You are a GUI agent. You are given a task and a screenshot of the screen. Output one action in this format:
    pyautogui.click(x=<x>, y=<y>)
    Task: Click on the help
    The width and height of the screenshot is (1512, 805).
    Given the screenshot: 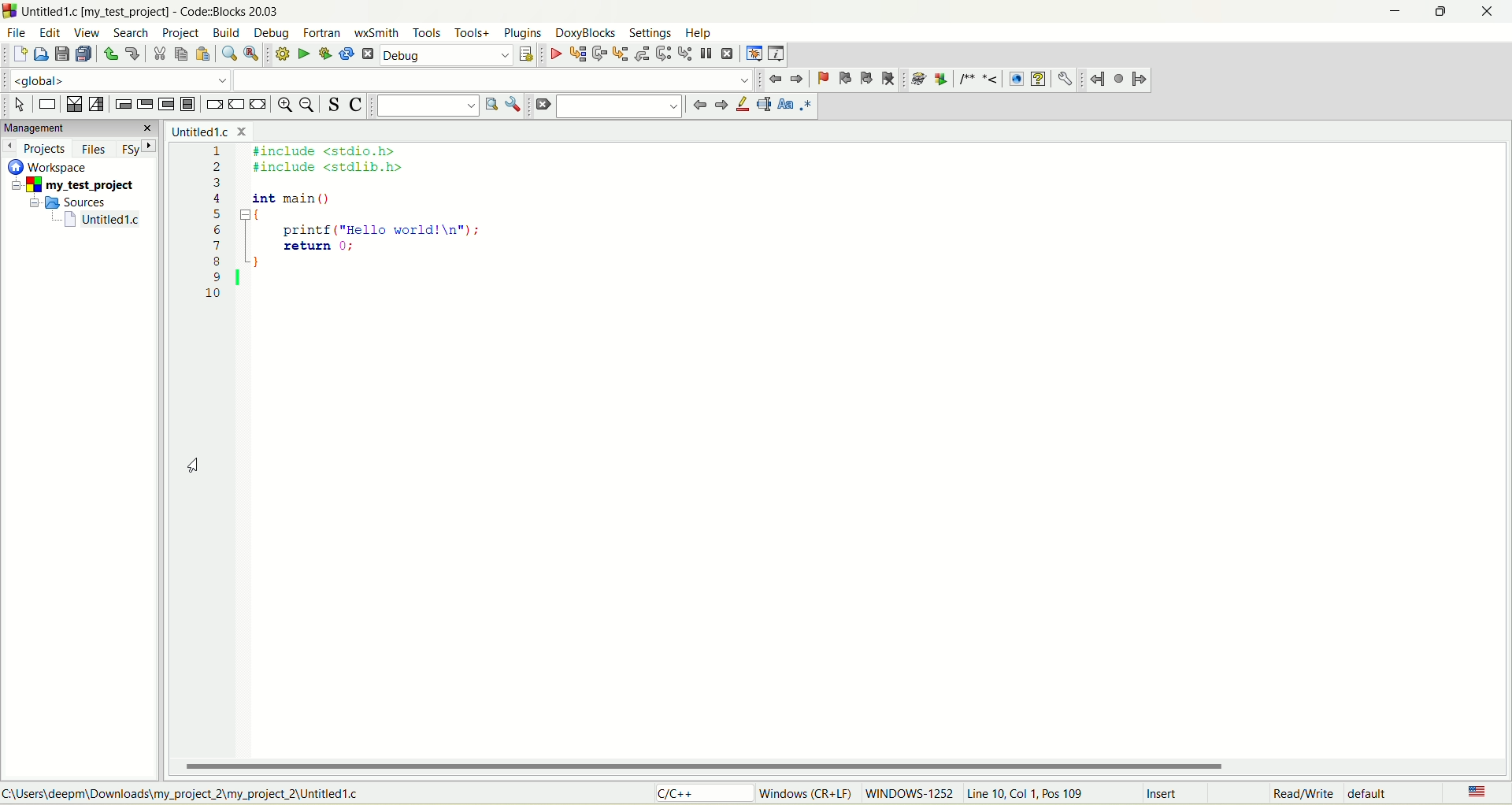 What is the action you would take?
    pyautogui.click(x=699, y=33)
    